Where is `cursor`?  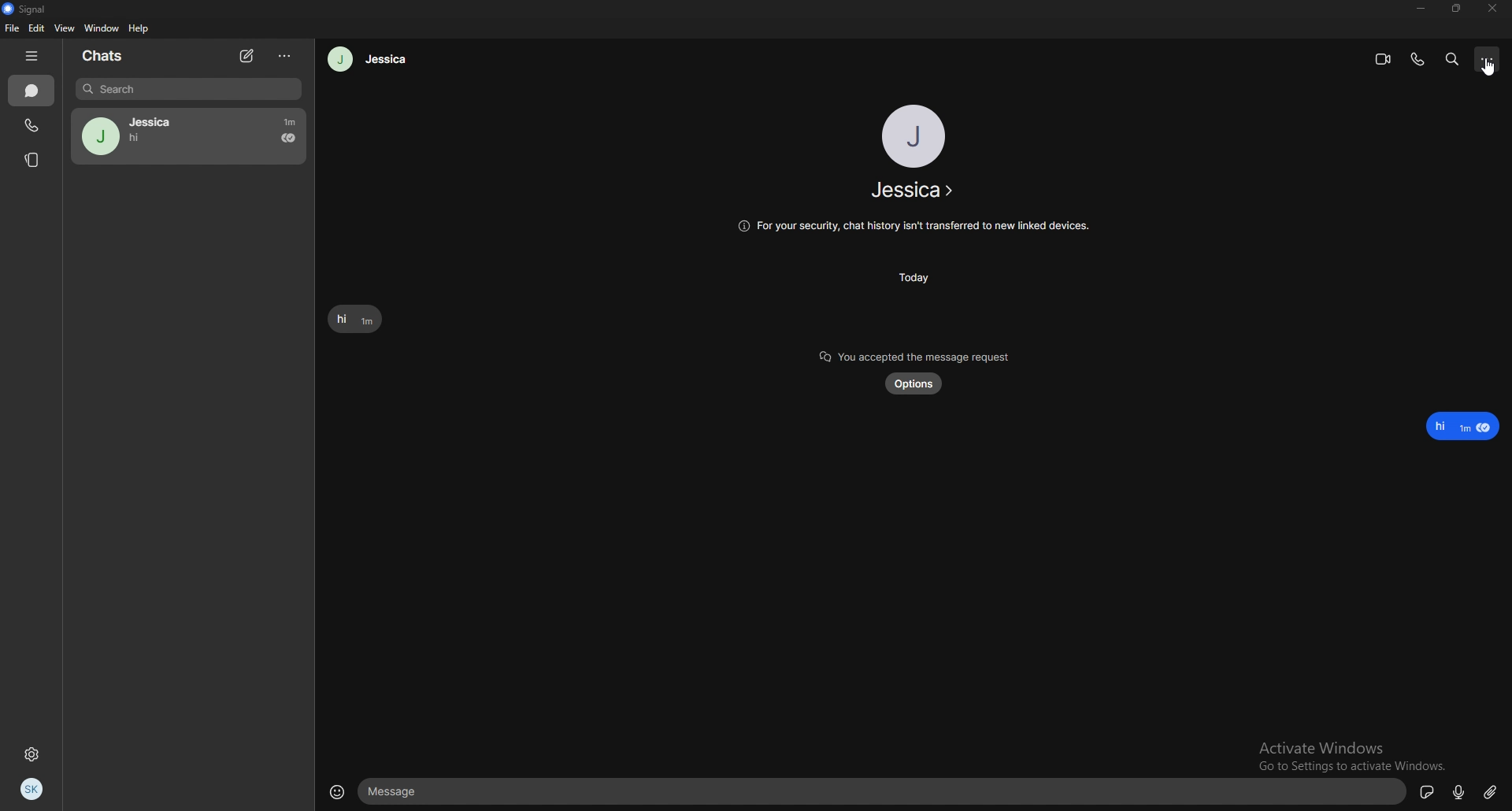
cursor is located at coordinates (1489, 72).